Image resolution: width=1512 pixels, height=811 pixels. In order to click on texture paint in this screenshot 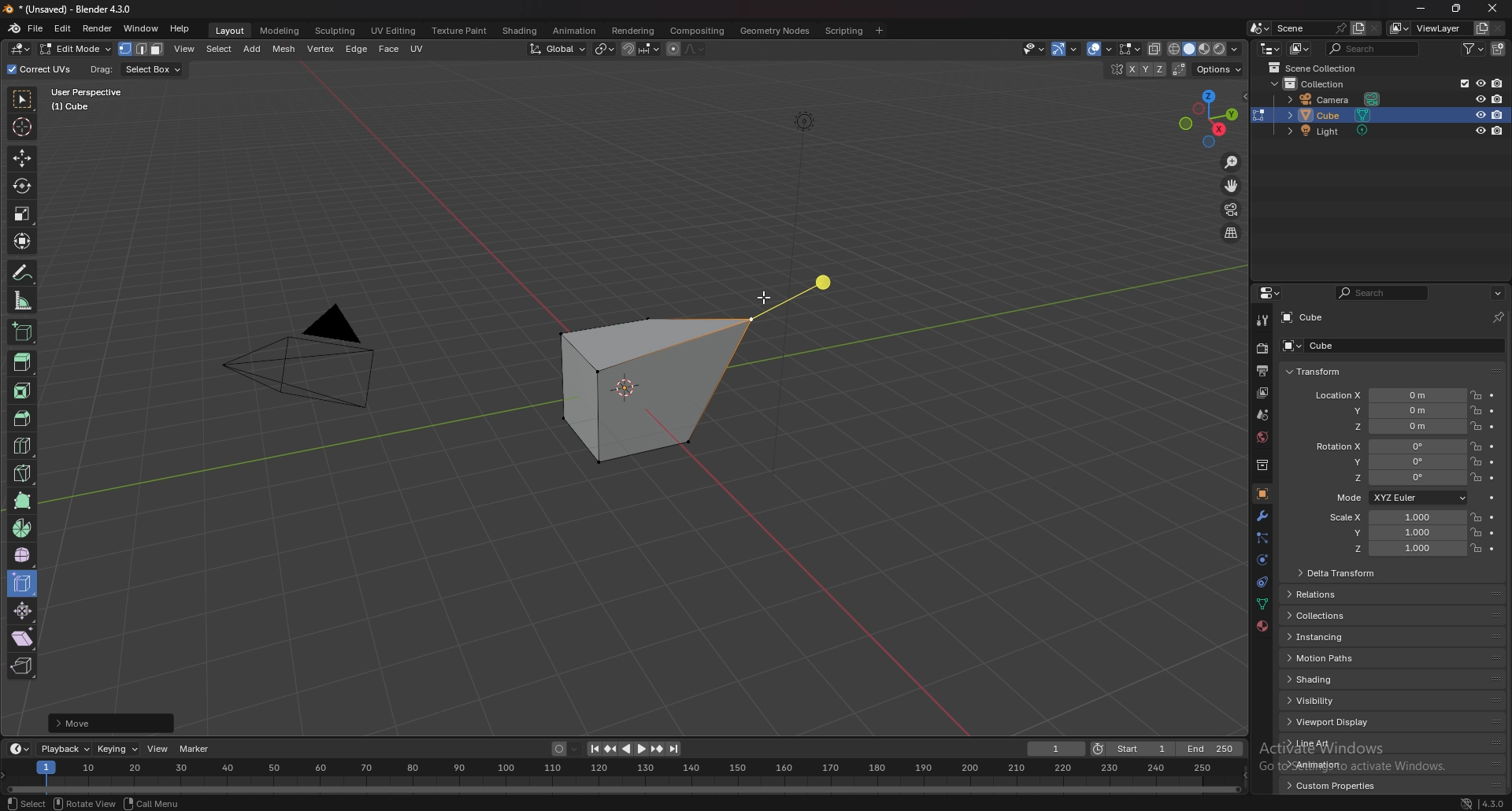, I will do `click(459, 31)`.